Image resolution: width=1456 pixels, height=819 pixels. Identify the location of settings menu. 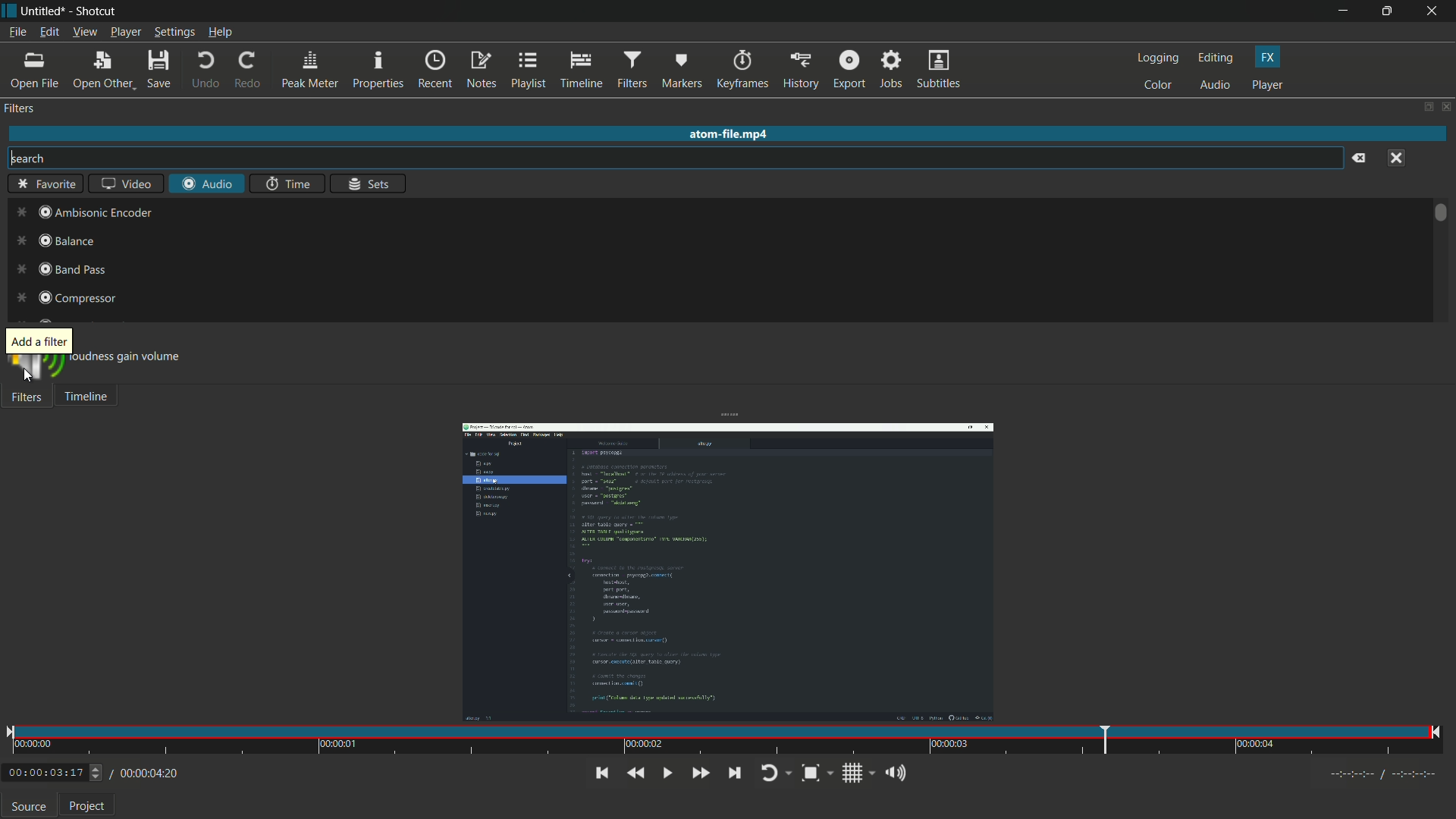
(174, 32).